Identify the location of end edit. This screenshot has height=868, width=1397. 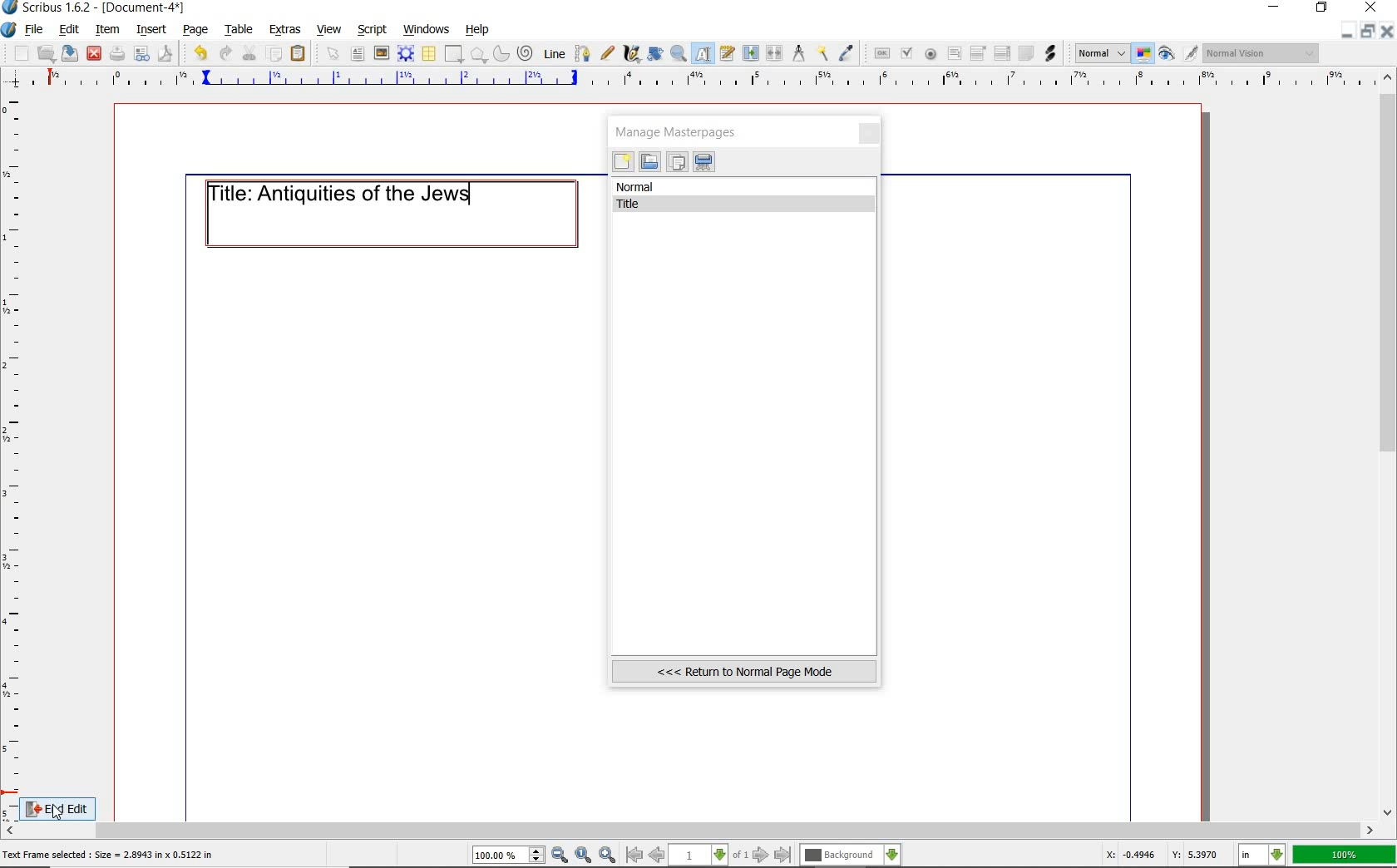
(73, 806).